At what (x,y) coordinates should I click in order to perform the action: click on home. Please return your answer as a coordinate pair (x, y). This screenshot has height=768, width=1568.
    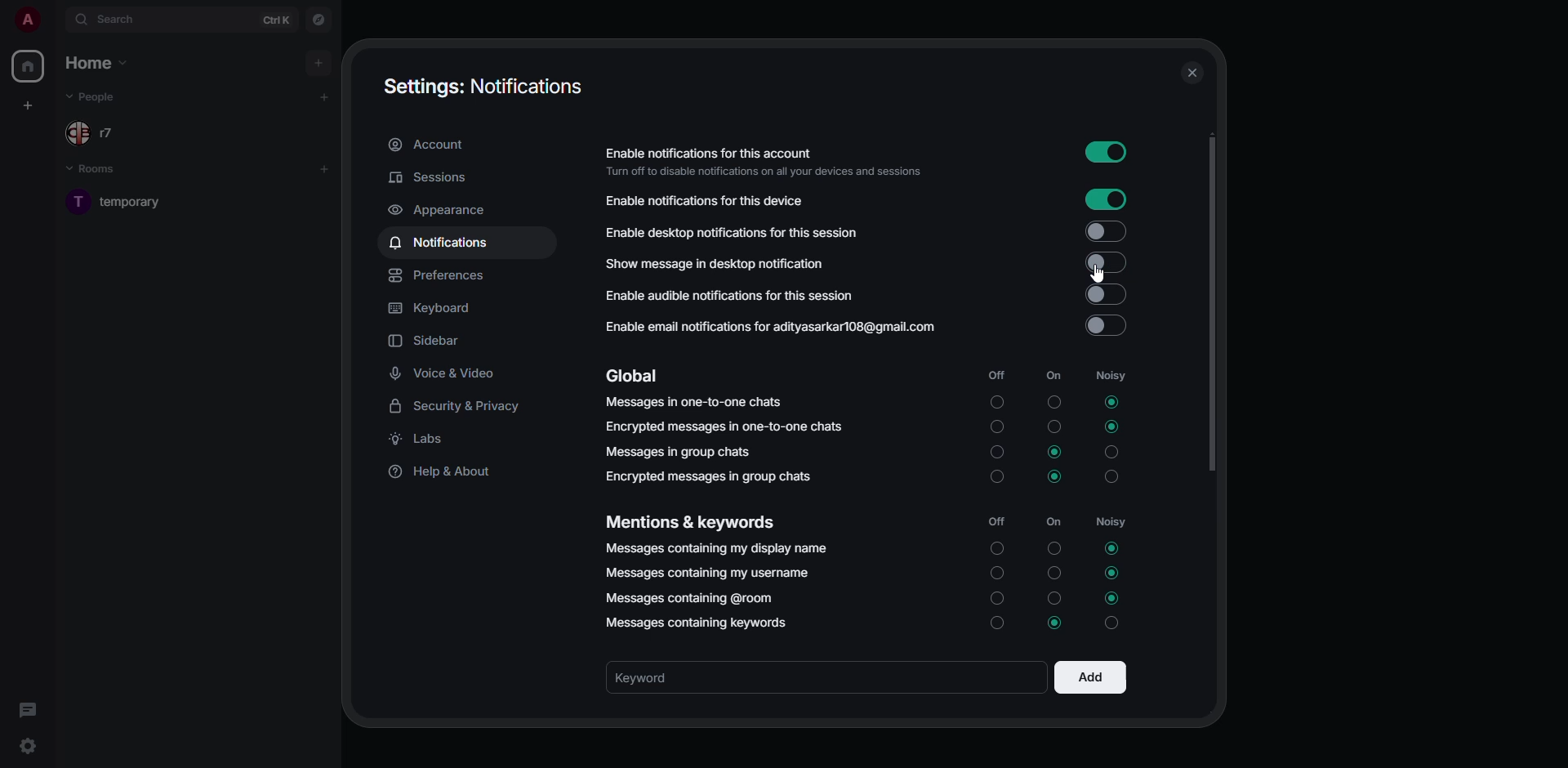
    Looking at the image, I should click on (104, 65).